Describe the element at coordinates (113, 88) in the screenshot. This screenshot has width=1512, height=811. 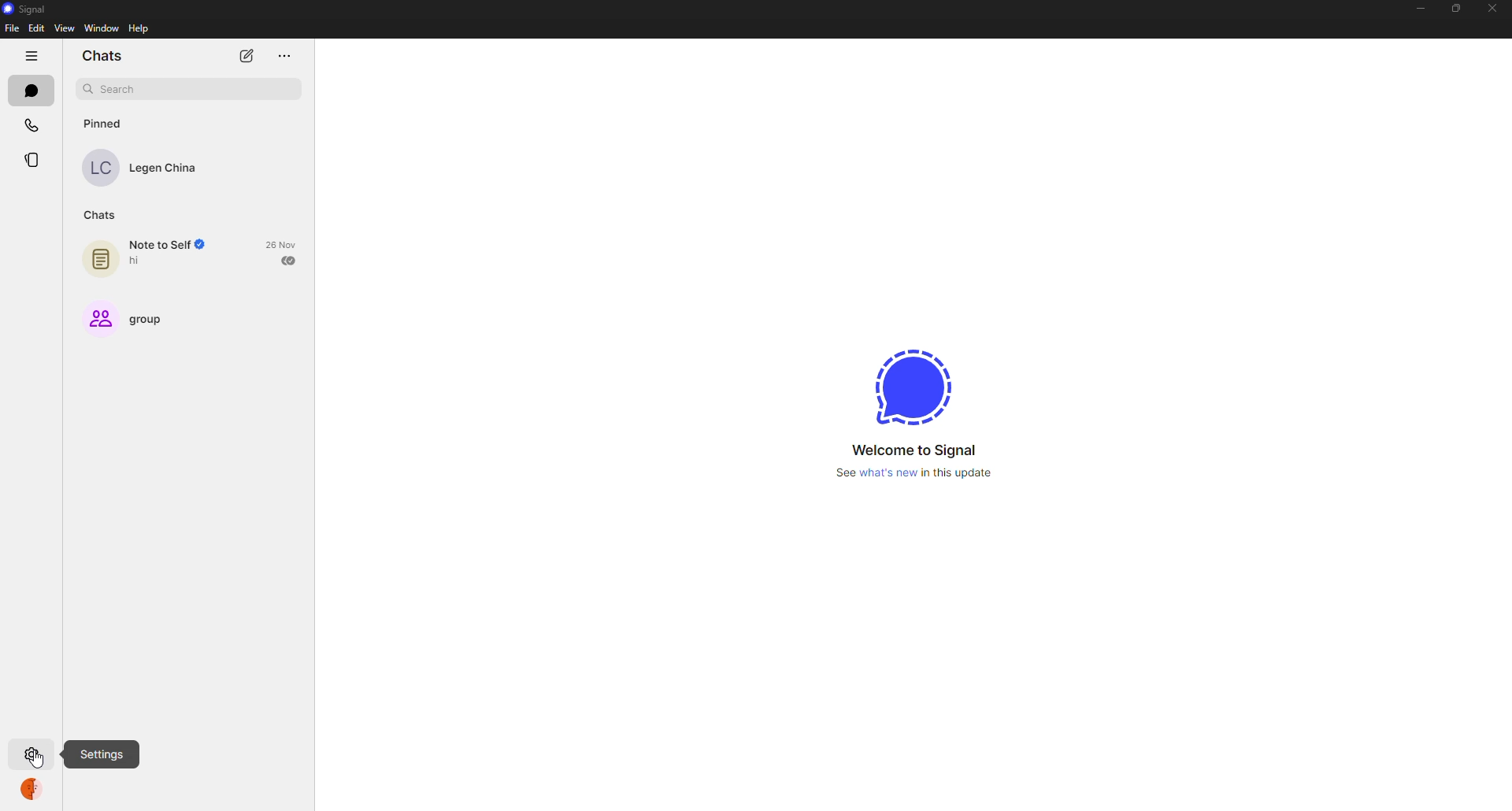
I see `search` at that location.